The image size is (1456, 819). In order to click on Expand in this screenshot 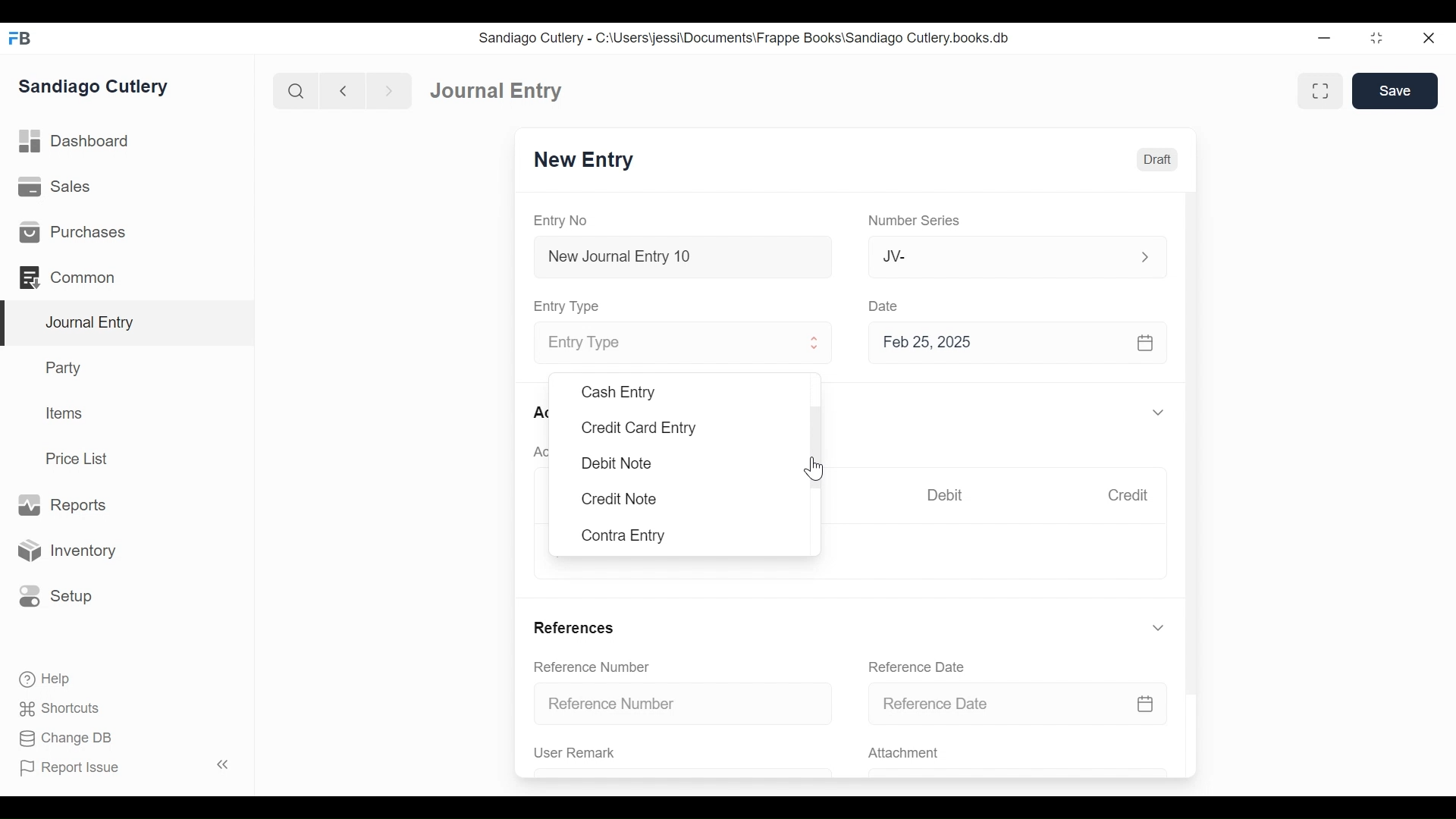, I will do `click(1144, 256)`.